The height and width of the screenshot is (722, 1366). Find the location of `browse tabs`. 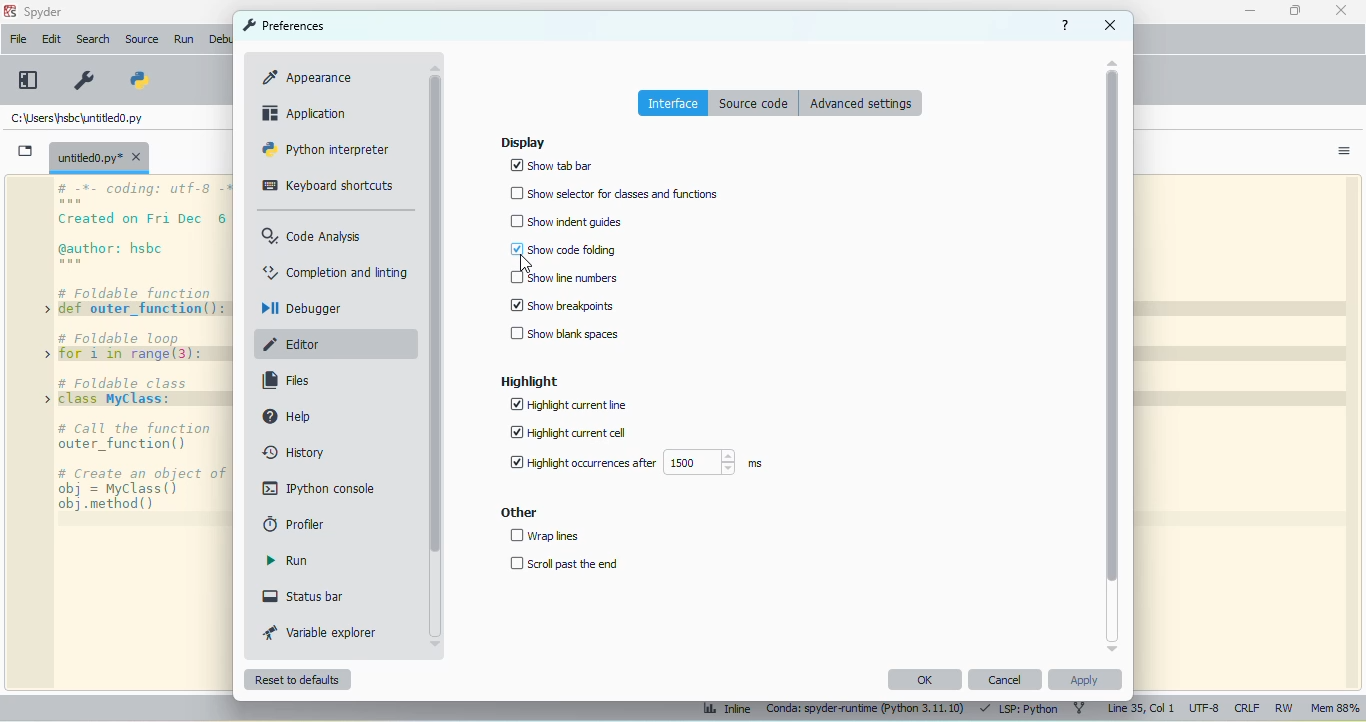

browse tabs is located at coordinates (26, 151).